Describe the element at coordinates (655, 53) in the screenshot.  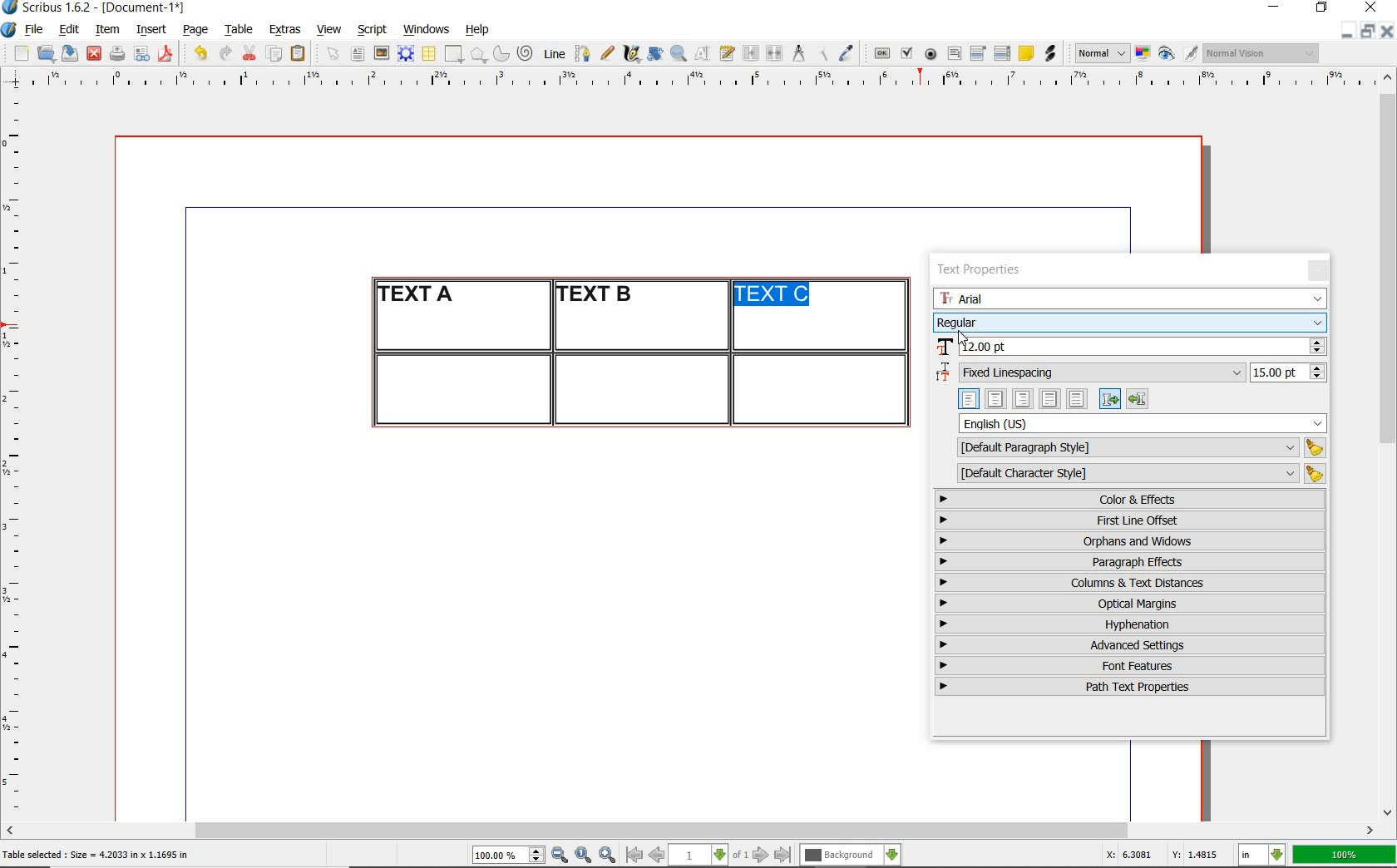
I see `rotate item` at that location.